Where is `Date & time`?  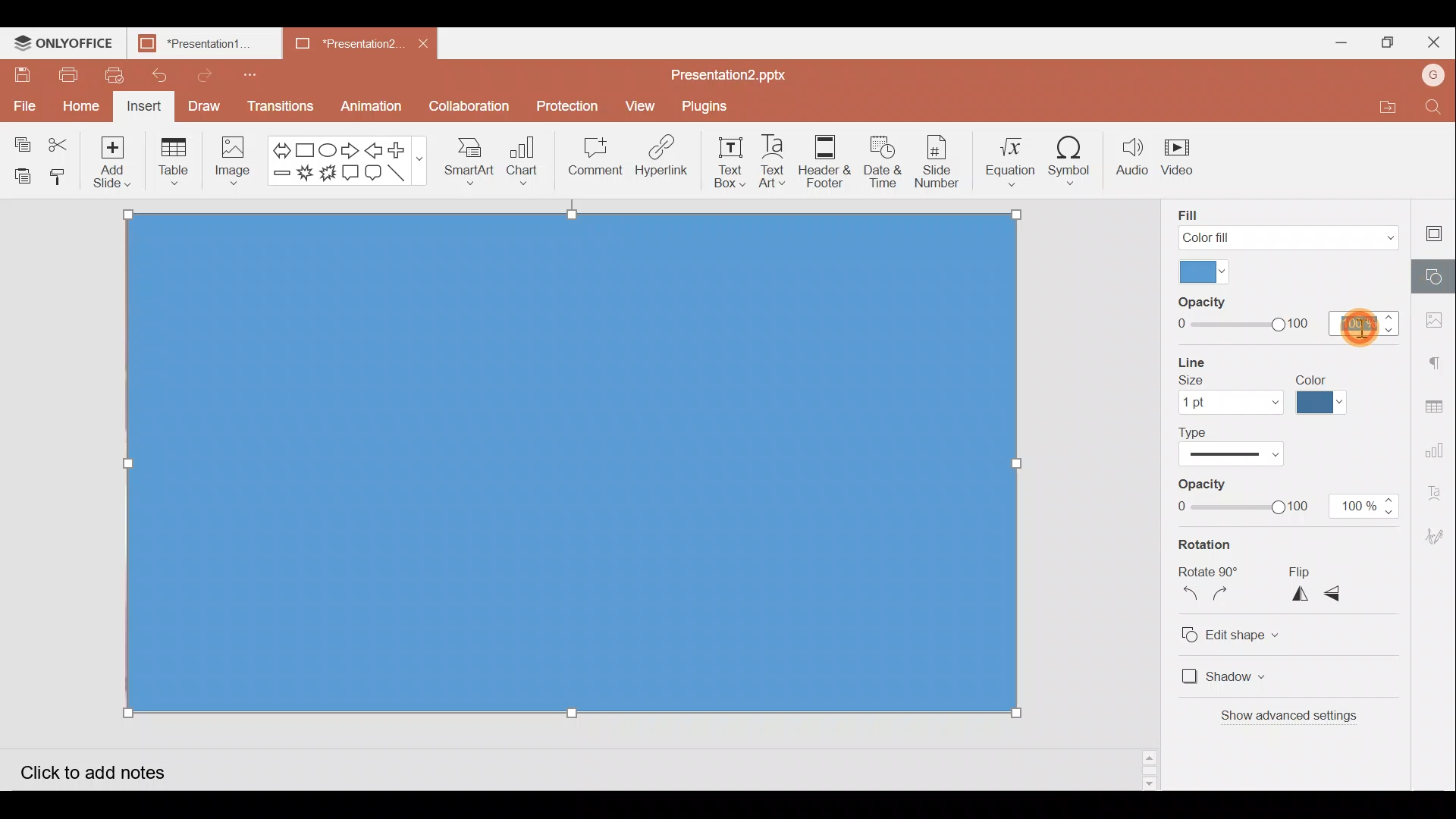 Date & time is located at coordinates (883, 161).